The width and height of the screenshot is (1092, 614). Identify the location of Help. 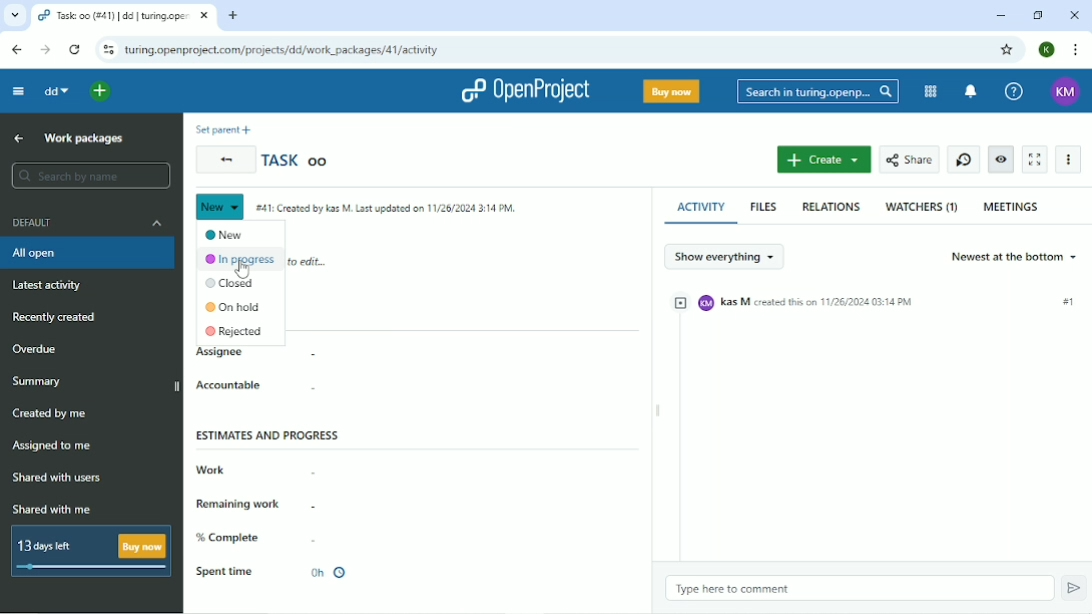
(1013, 90).